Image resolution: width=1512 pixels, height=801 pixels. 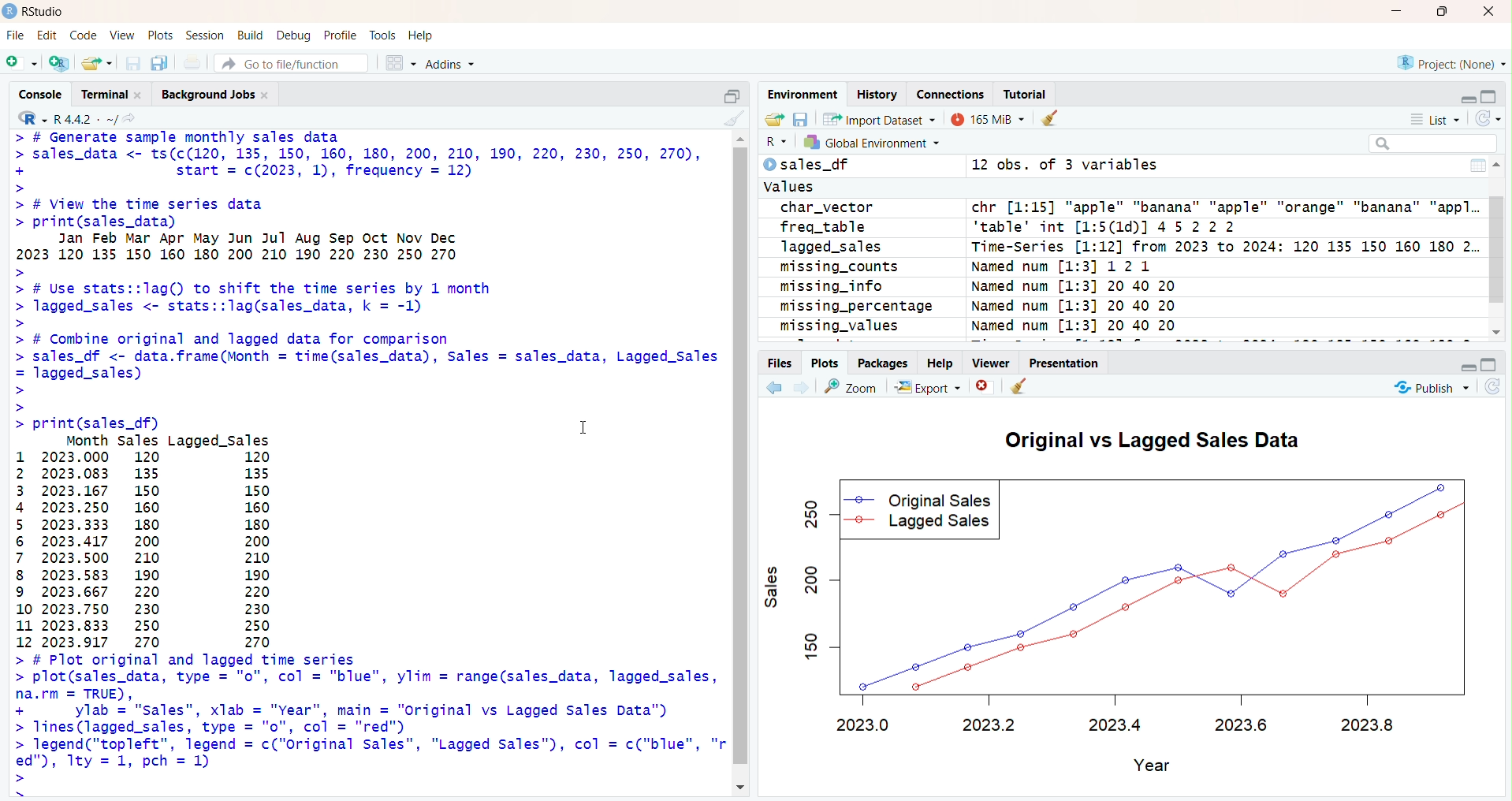 I want to click on > # Plot original and lagged time series
plot(sales_data, type = "o", col = "EHH", ylim = range(sales_data, lagged_sales, na.rm = TRUE),
ylab = "sales", xlab = "Year", main = "Original vs Lagged Sales Data")
Tines (lagged_sales, type = "o", col = "[{")
| FoendCeorTefes legend = c("original sales", "Lagged Sales"), col = c('ENER", "WE", ty = 1, pch = 1), so click(x=368, y=722).